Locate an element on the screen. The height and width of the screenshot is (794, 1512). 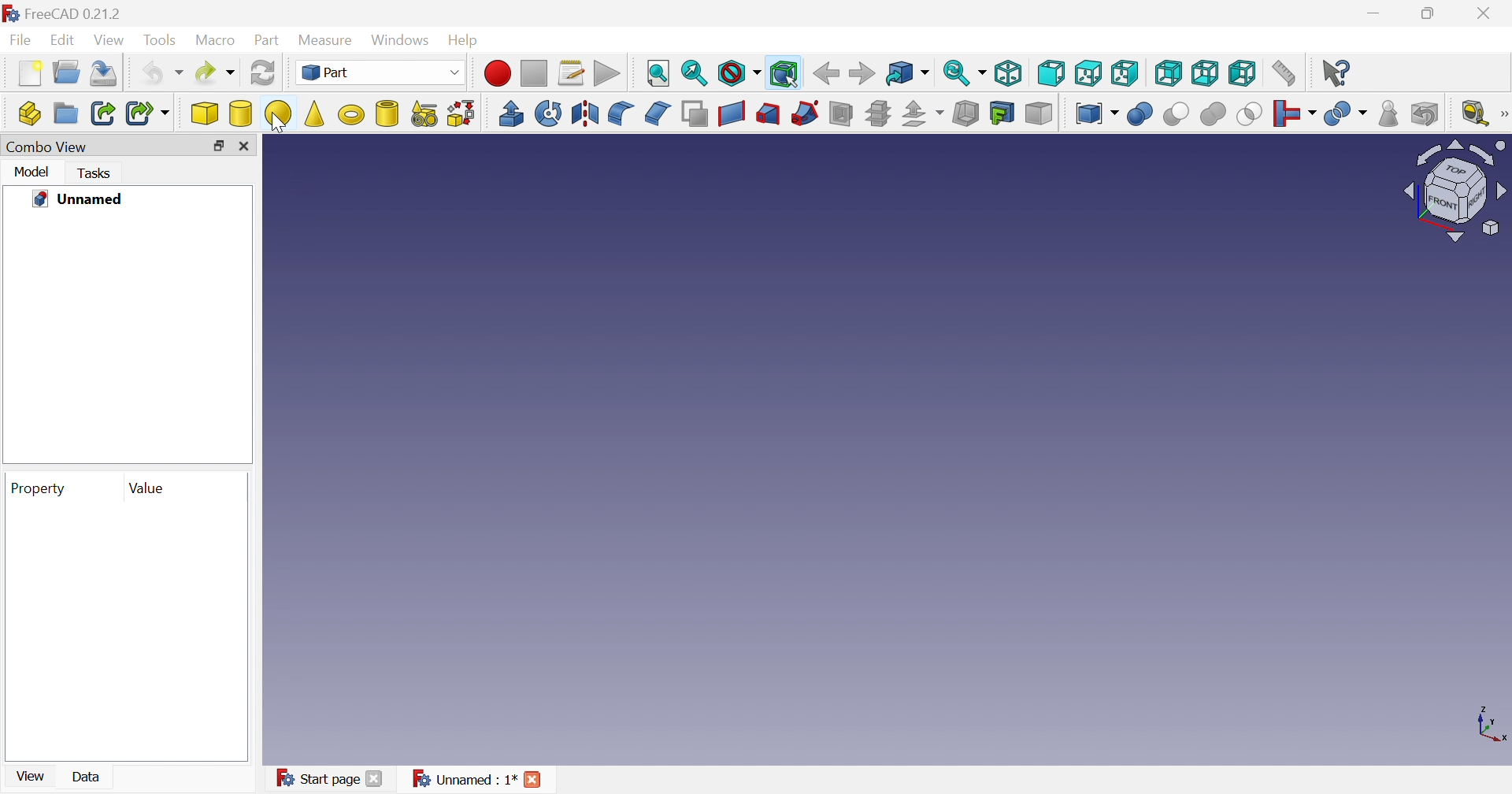
Top is located at coordinates (1088, 74).